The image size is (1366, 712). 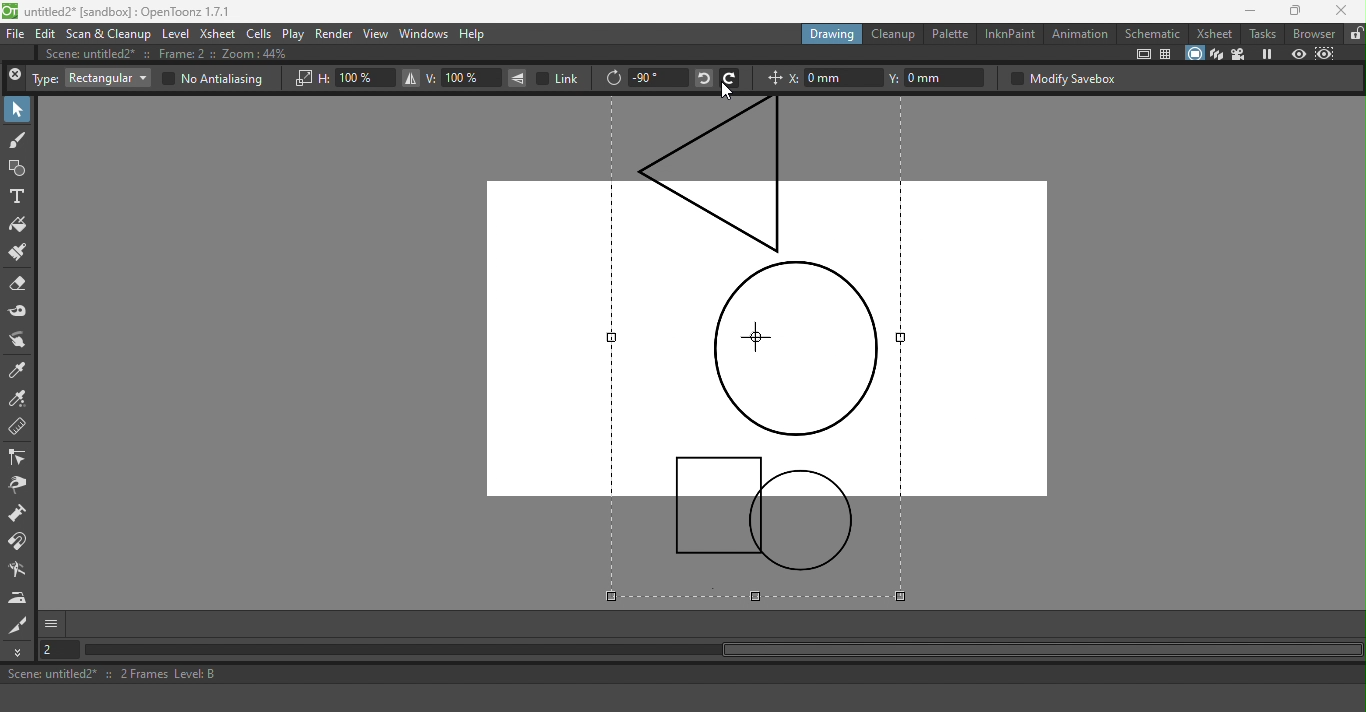 What do you see at coordinates (1081, 33) in the screenshot?
I see `Animation` at bounding box center [1081, 33].